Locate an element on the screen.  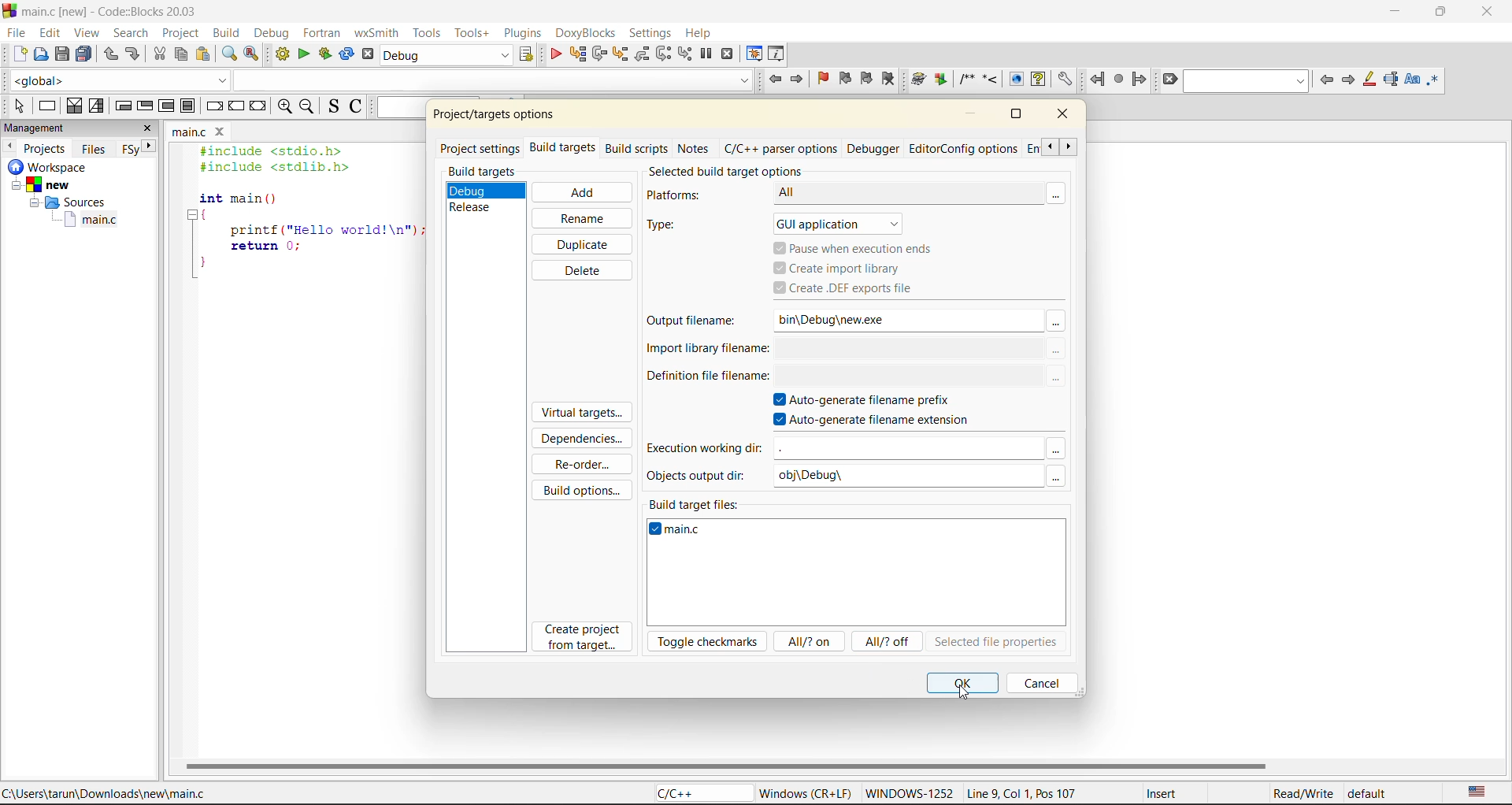
file is located at coordinates (14, 34).